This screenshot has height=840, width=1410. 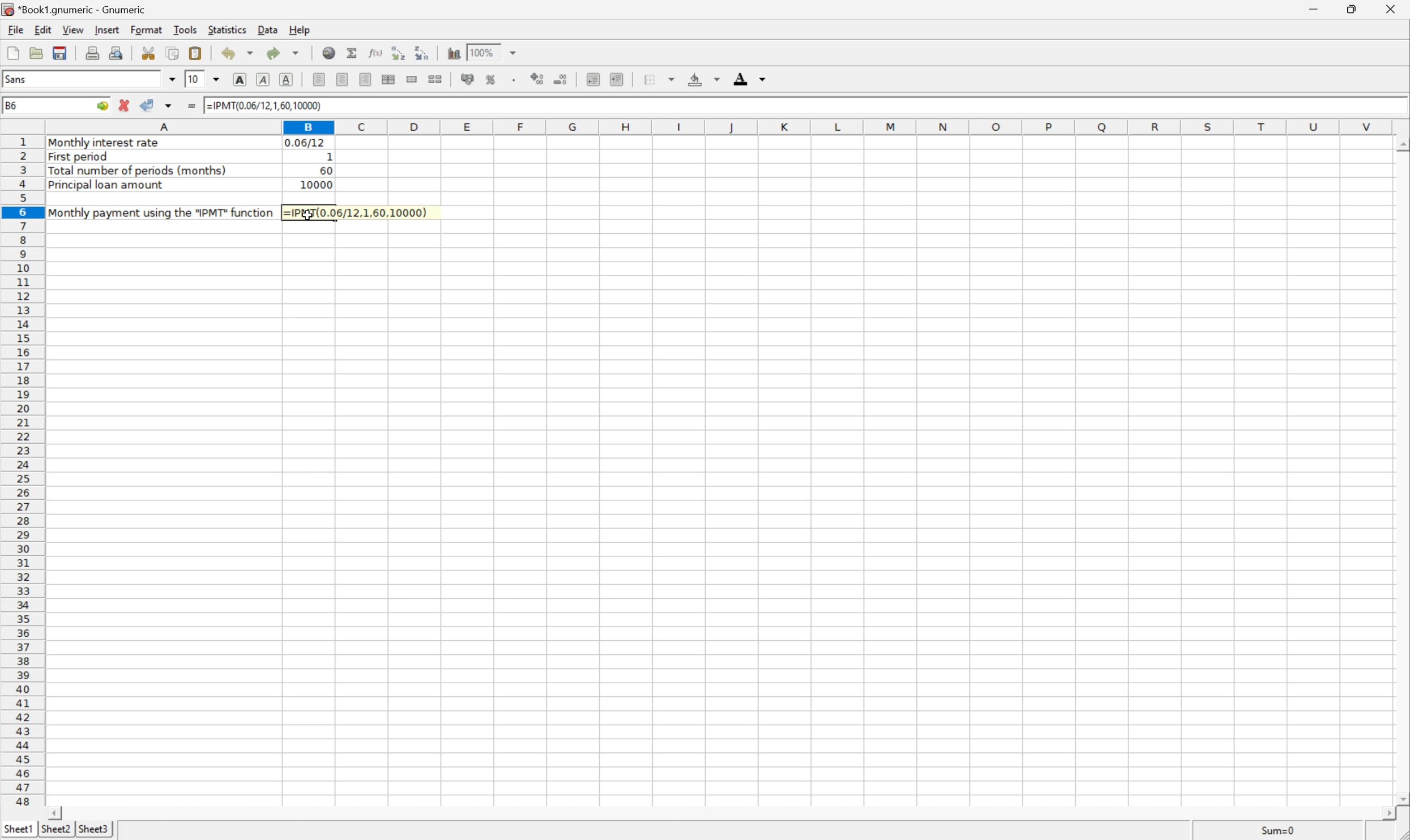 What do you see at coordinates (268, 31) in the screenshot?
I see `Data` at bounding box center [268, 31].